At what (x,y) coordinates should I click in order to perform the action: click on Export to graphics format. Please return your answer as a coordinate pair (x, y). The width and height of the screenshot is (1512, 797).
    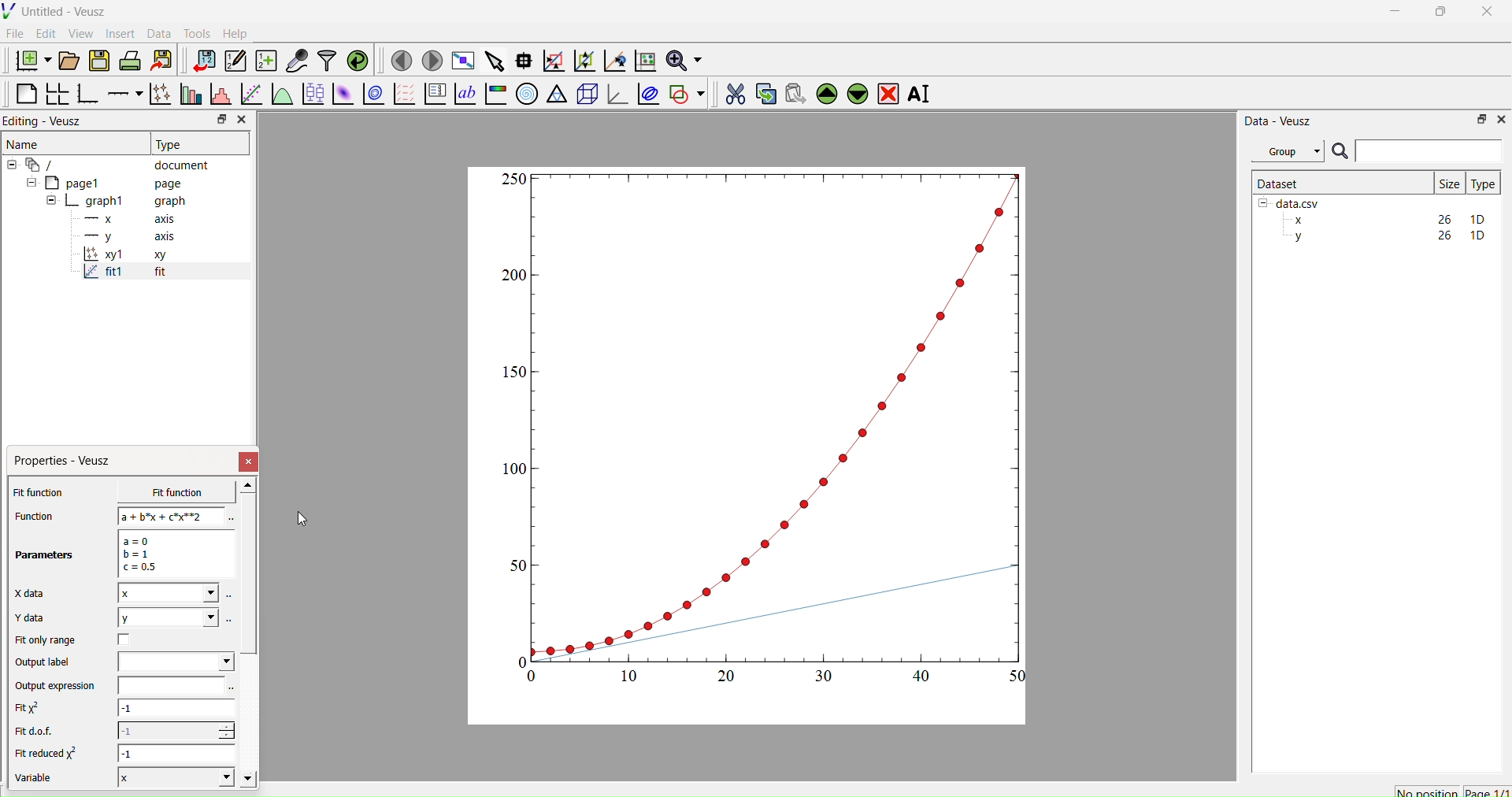
    Looking at the image, I should click on (161, 61).